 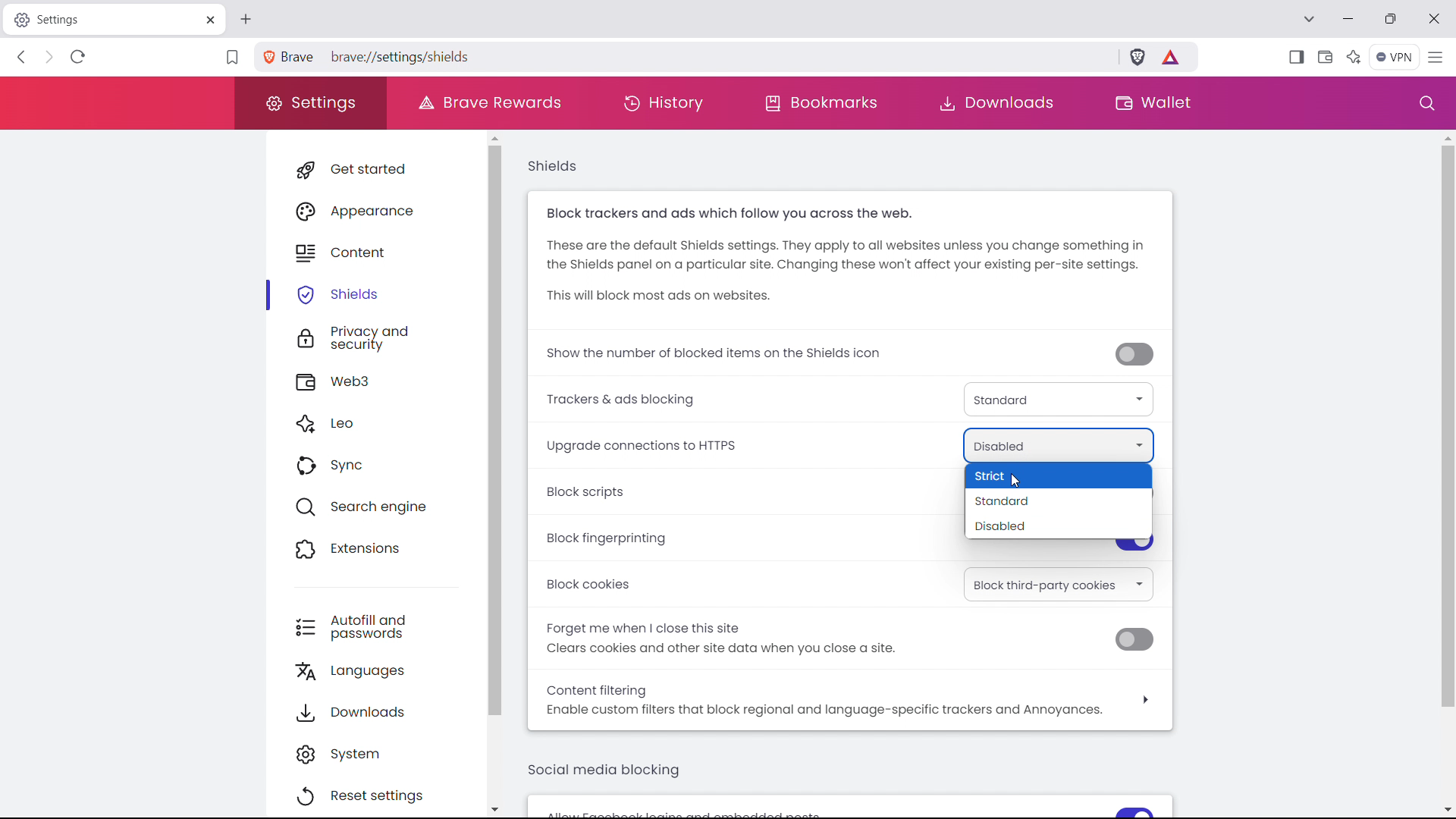 What do you see at coordinates (384, 249) in the screenshot?
I see `content` at bounding box center [384, 249].